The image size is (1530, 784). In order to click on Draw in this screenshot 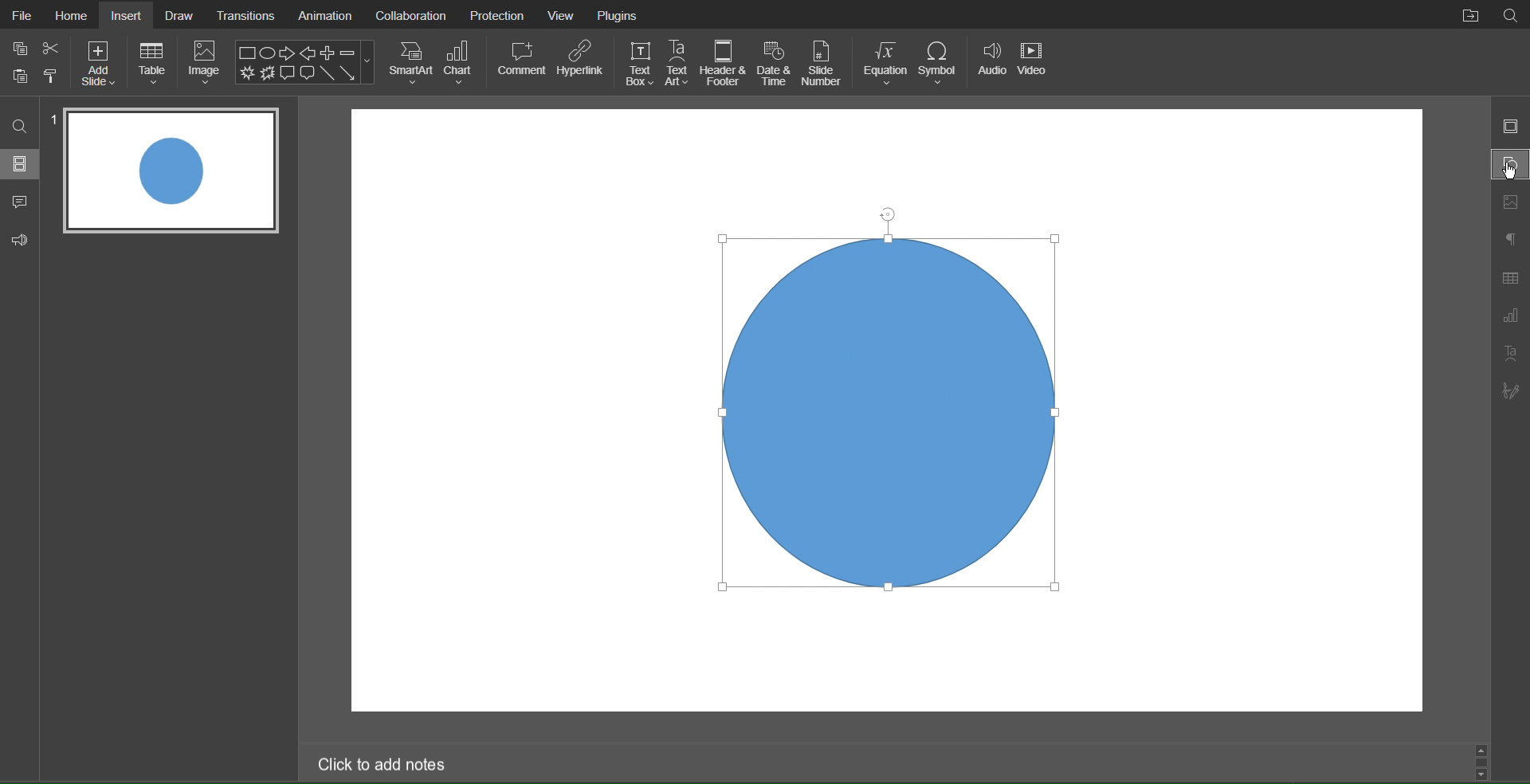, I will do `click(181, 14)`.